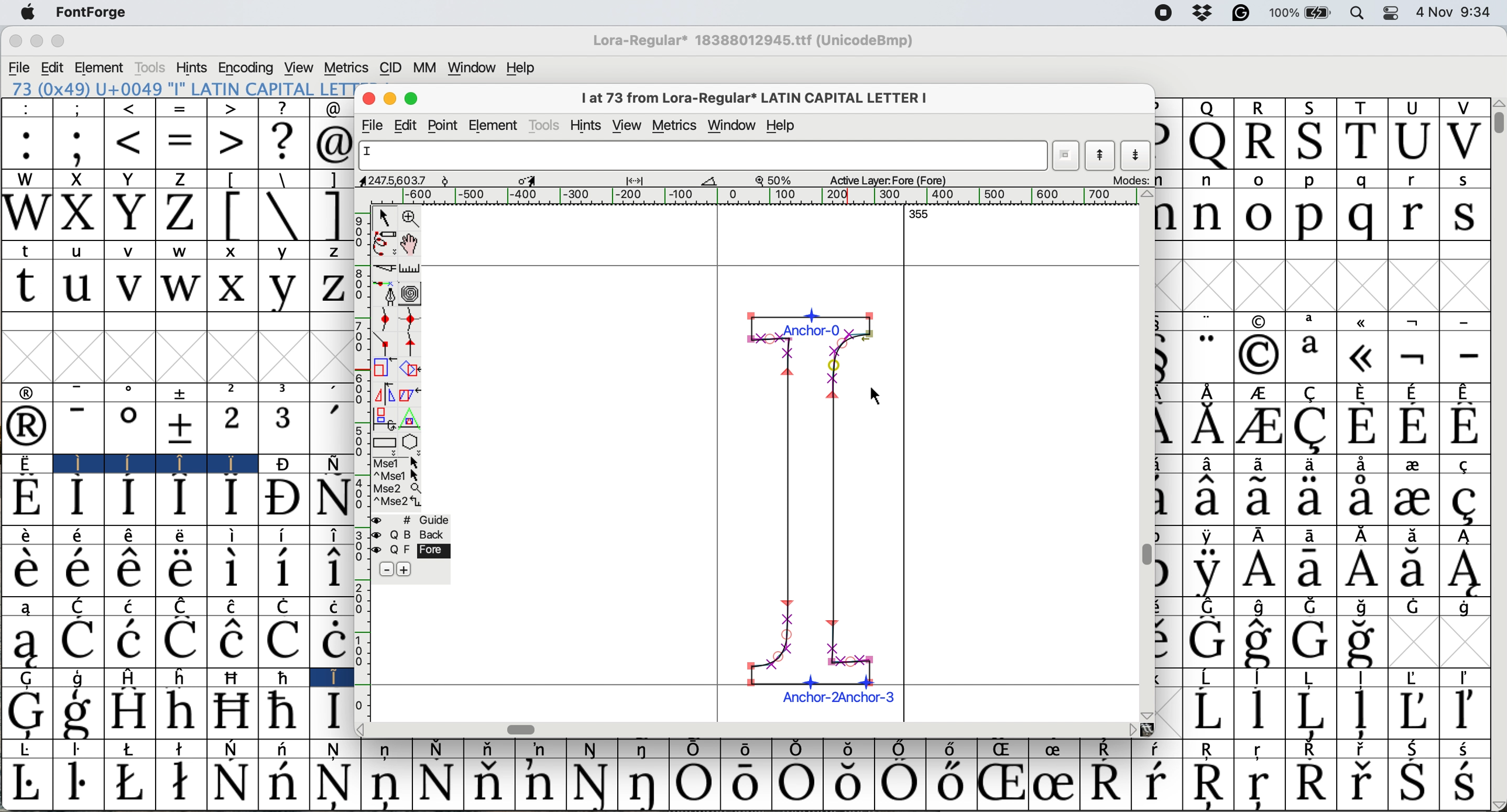  Describe the element at coordinates (949, 785) in the screenshot. I see `Symbol` at that location.